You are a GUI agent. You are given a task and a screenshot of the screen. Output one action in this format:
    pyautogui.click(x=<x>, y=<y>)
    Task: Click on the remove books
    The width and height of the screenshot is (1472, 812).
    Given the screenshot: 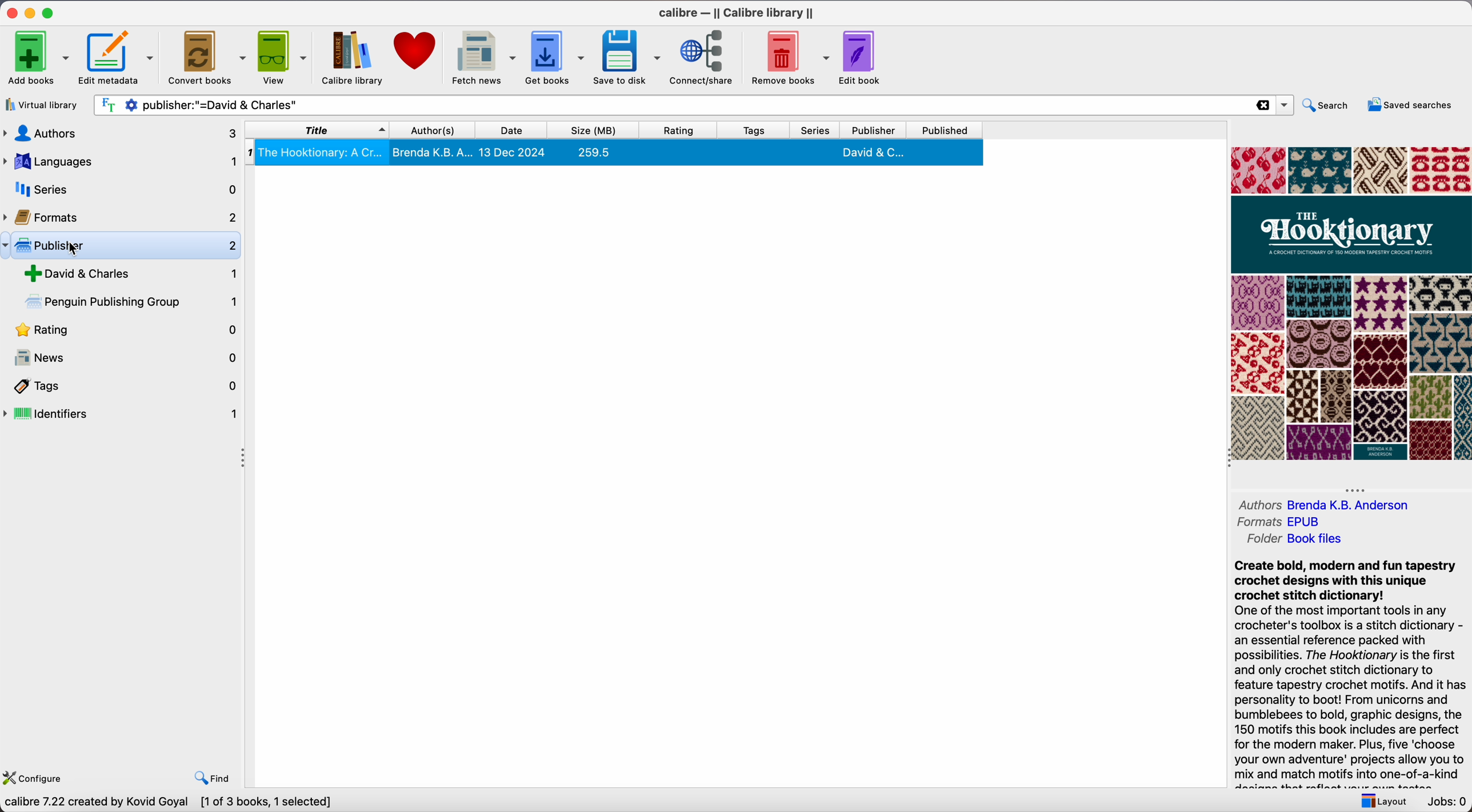 What is the action you would take?
    pyautogui.click(x=791, y=57)
    